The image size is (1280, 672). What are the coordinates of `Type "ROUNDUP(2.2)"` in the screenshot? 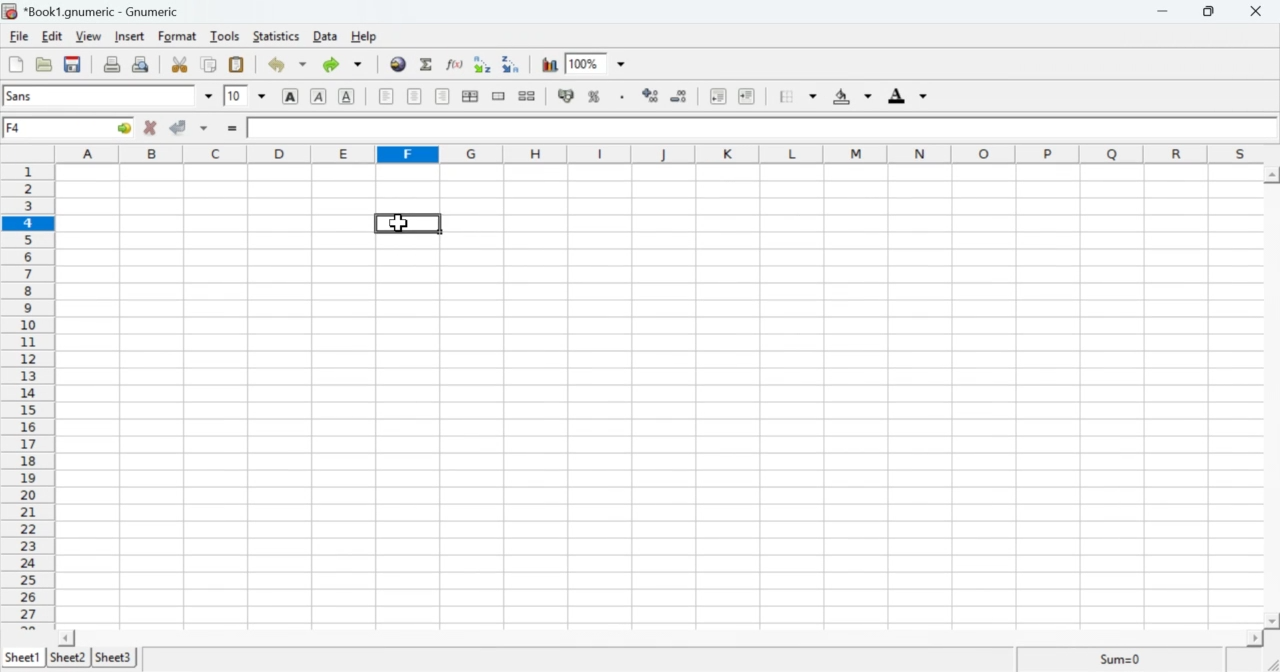 It's located at (408, 223).